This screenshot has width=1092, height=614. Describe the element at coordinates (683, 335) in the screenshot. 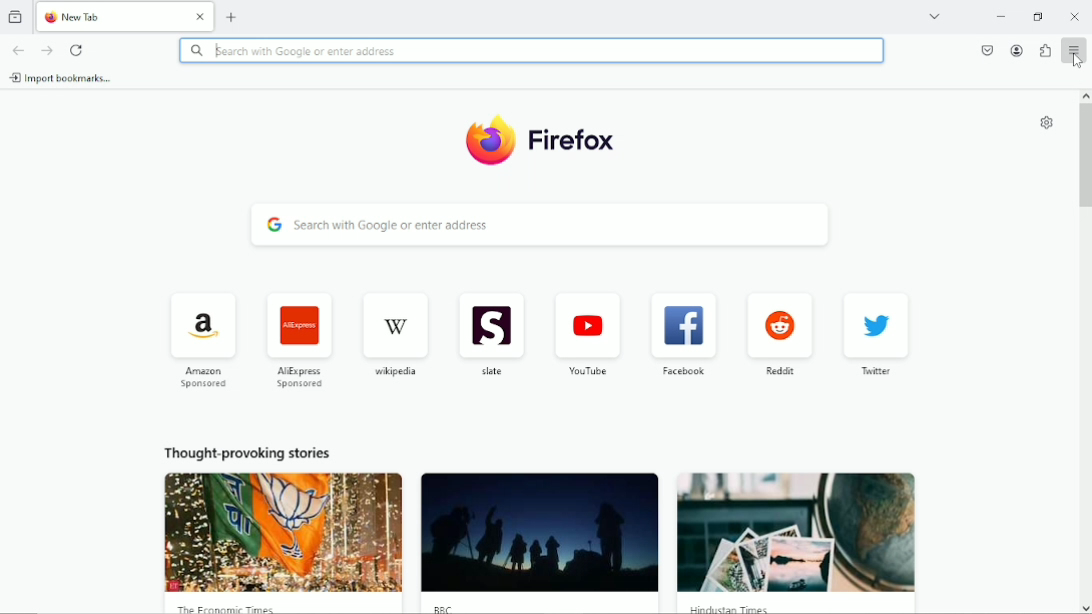

I see `Facebook` at that location.